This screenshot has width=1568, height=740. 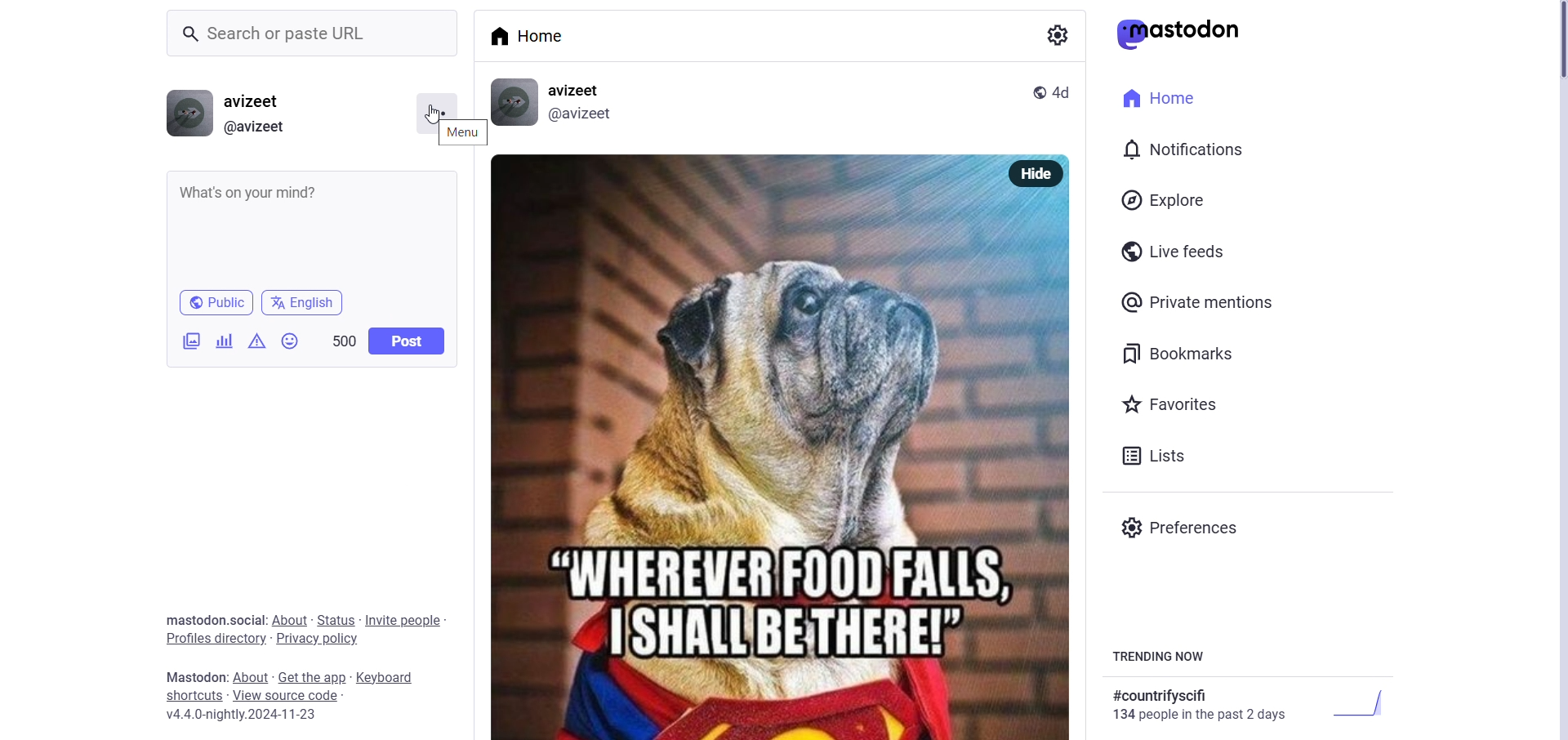 I want to click on content warning, so click(x=255, y=342).